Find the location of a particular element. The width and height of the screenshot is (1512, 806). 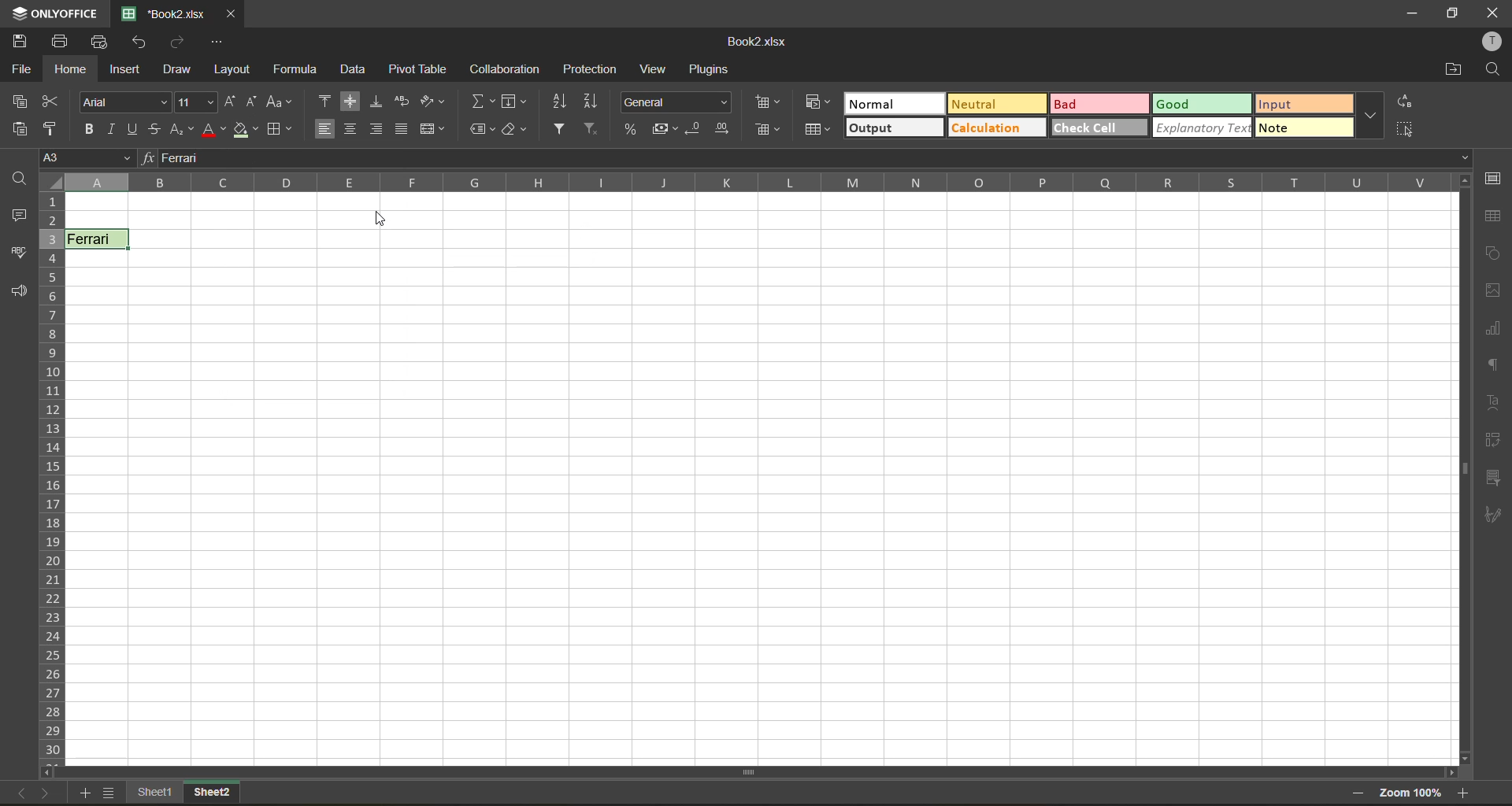

conditional formatting is located at coordinates (770, 104).